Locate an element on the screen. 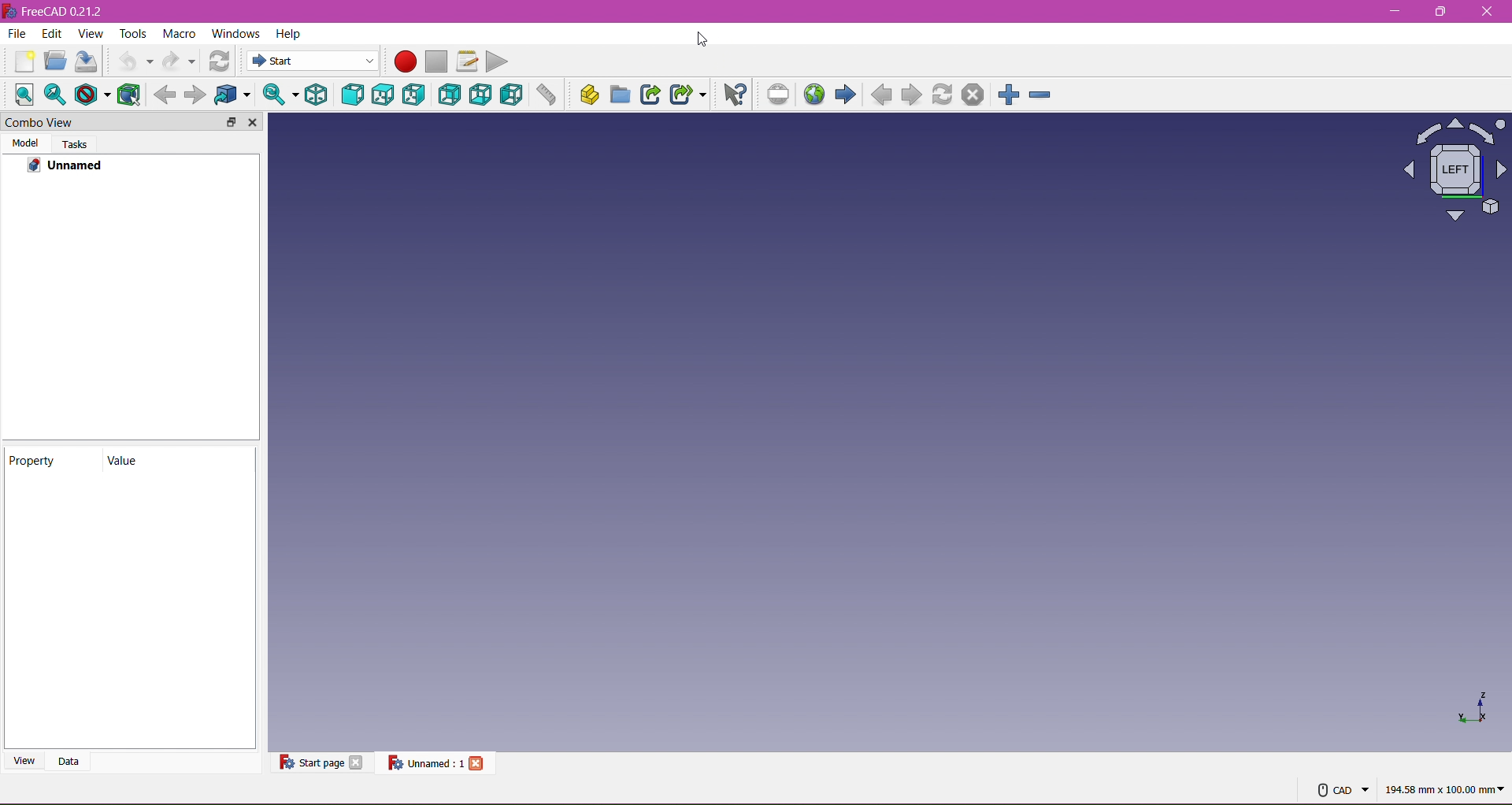 The width and height of the screenshot is (1512, 805). Edit is located at coordinates (51, 33).